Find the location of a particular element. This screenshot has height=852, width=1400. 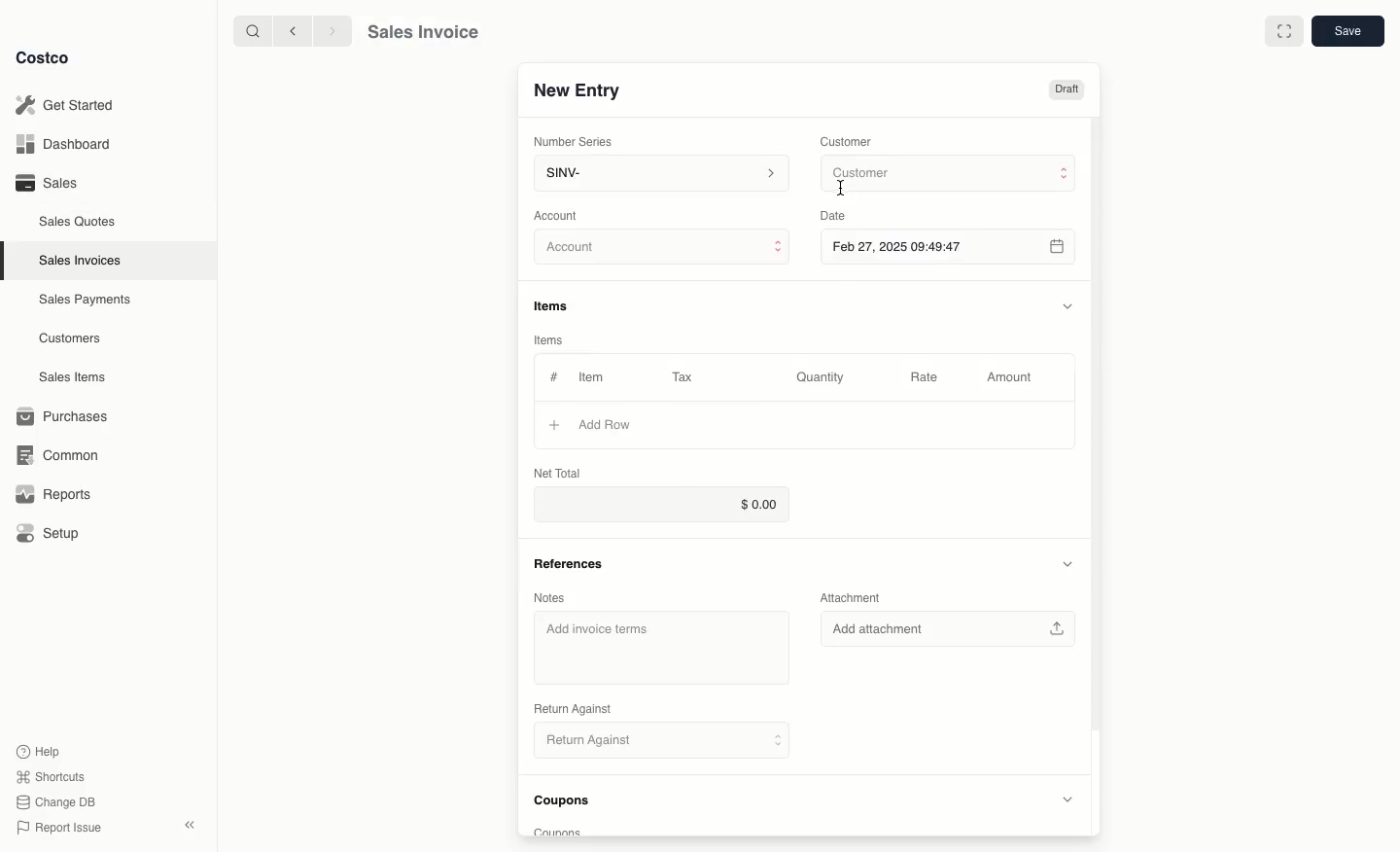

References is located at coordinates (567, 563).